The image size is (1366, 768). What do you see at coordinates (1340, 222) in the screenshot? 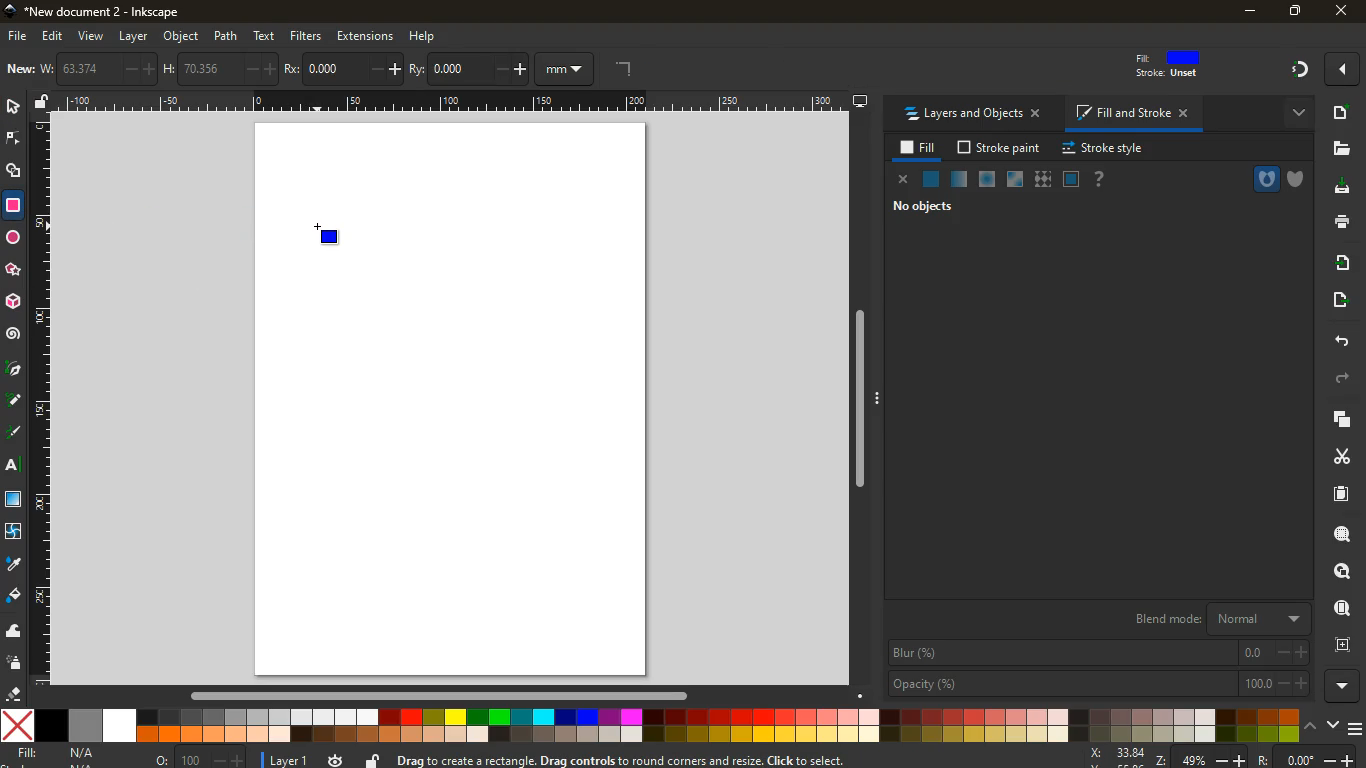
I see `print` at bounding box center [1340, 222].